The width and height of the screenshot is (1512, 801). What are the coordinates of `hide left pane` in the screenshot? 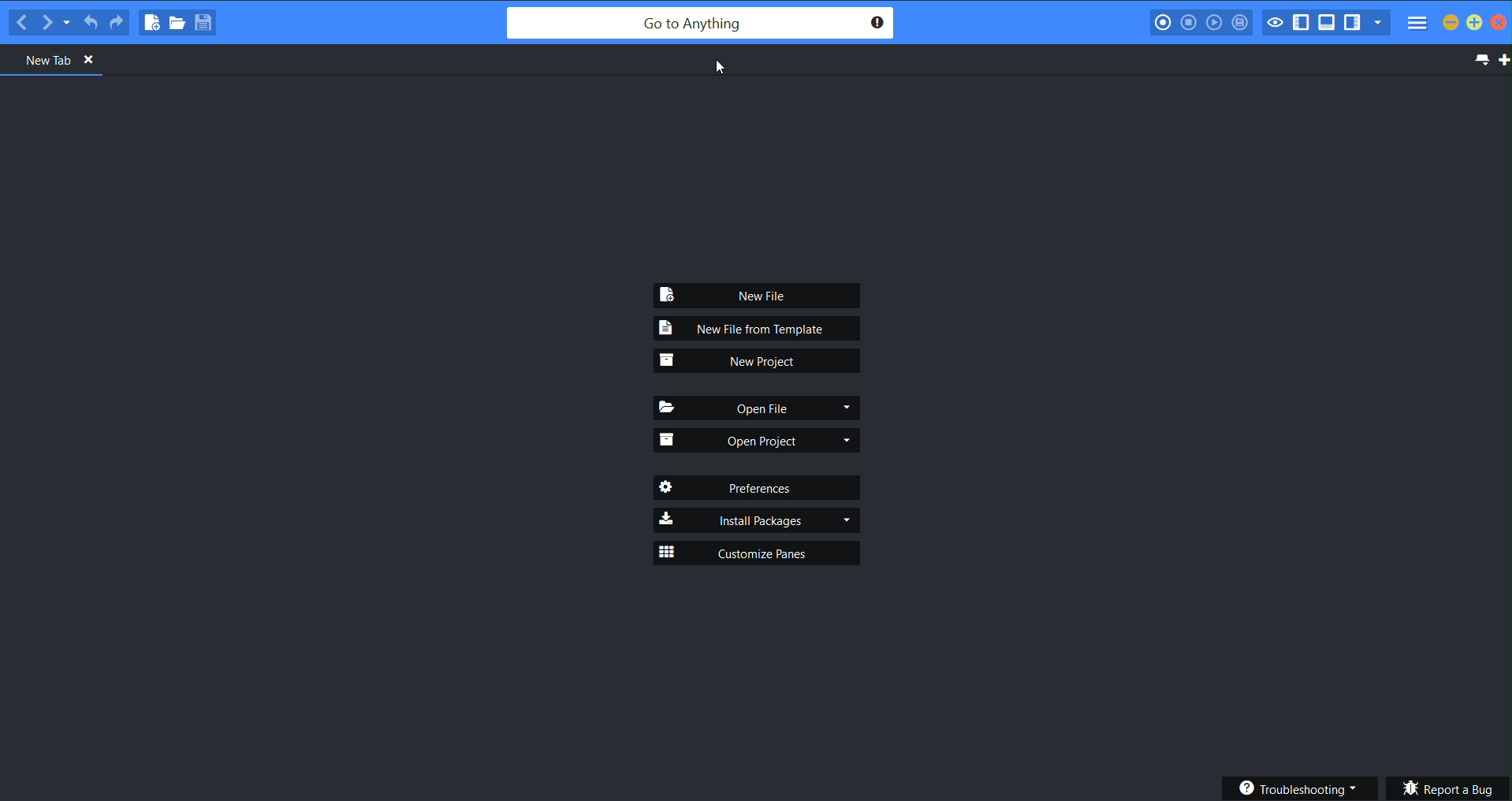 It's located at (1304, 24).